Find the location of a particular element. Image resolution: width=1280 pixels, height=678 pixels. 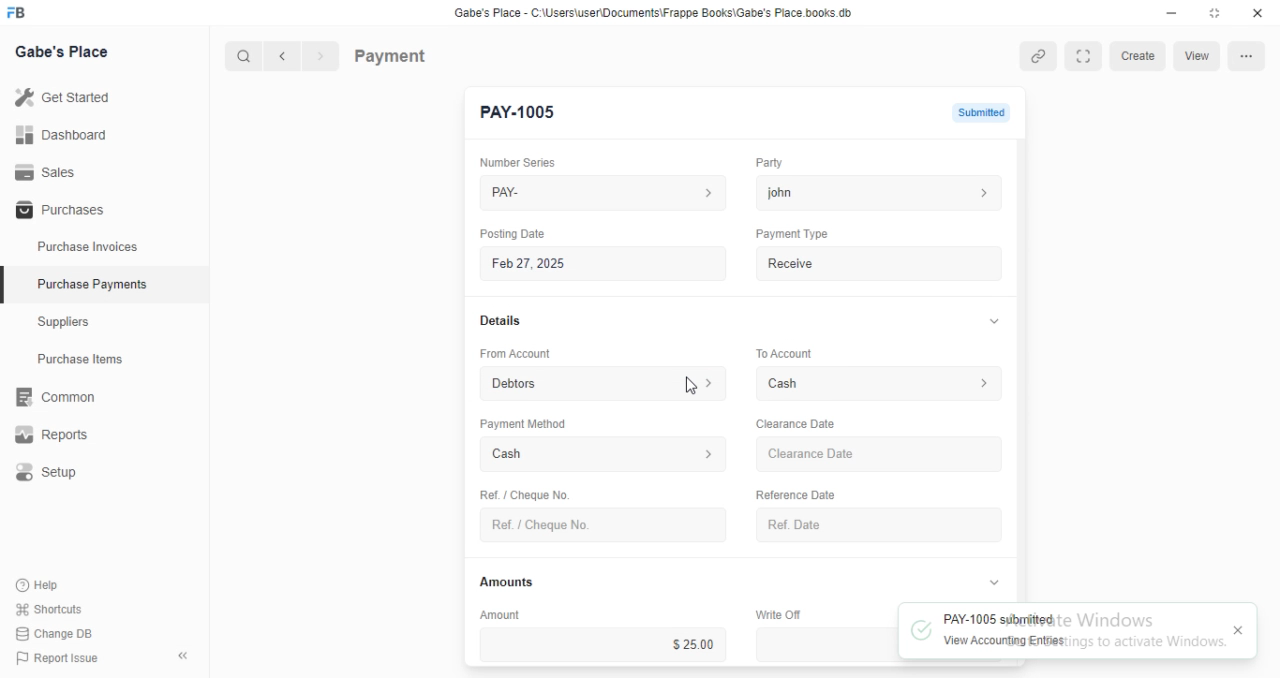

Shortcuts is located at coordinates (47, 610).